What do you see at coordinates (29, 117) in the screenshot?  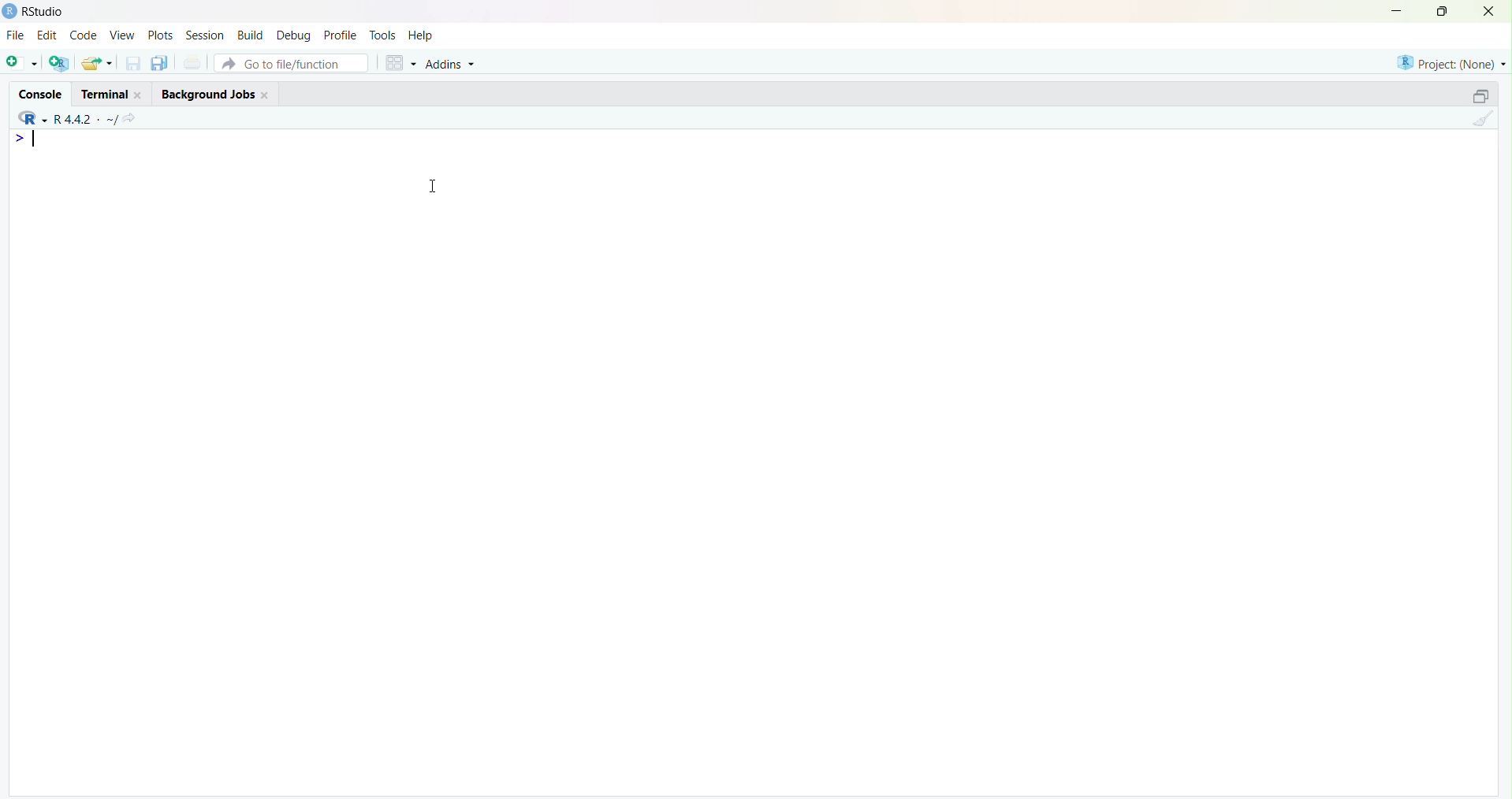 I see `RStudio logo` at bounding box center [29, 117].